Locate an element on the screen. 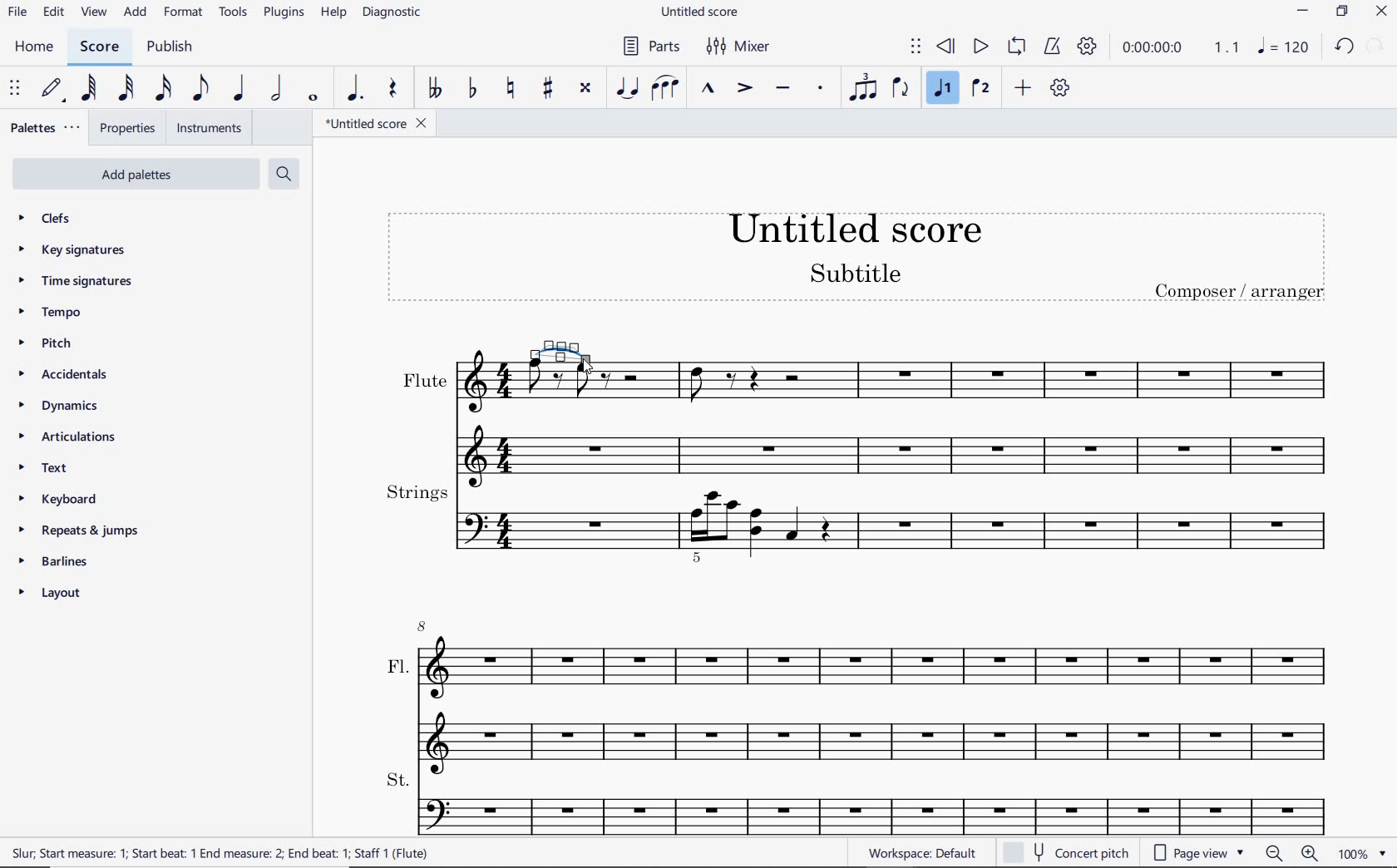  layout is located at coordinates (51, 594).